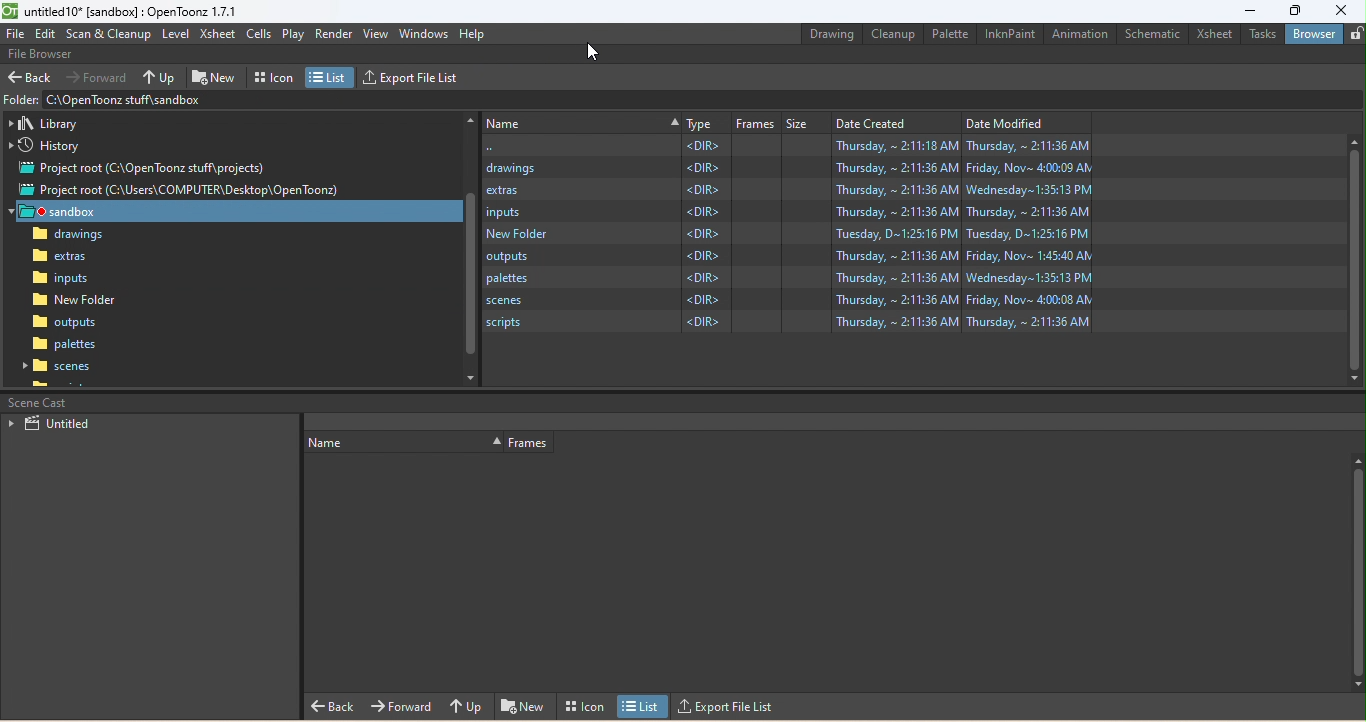  I want to click on Frames, so click(757, 124).